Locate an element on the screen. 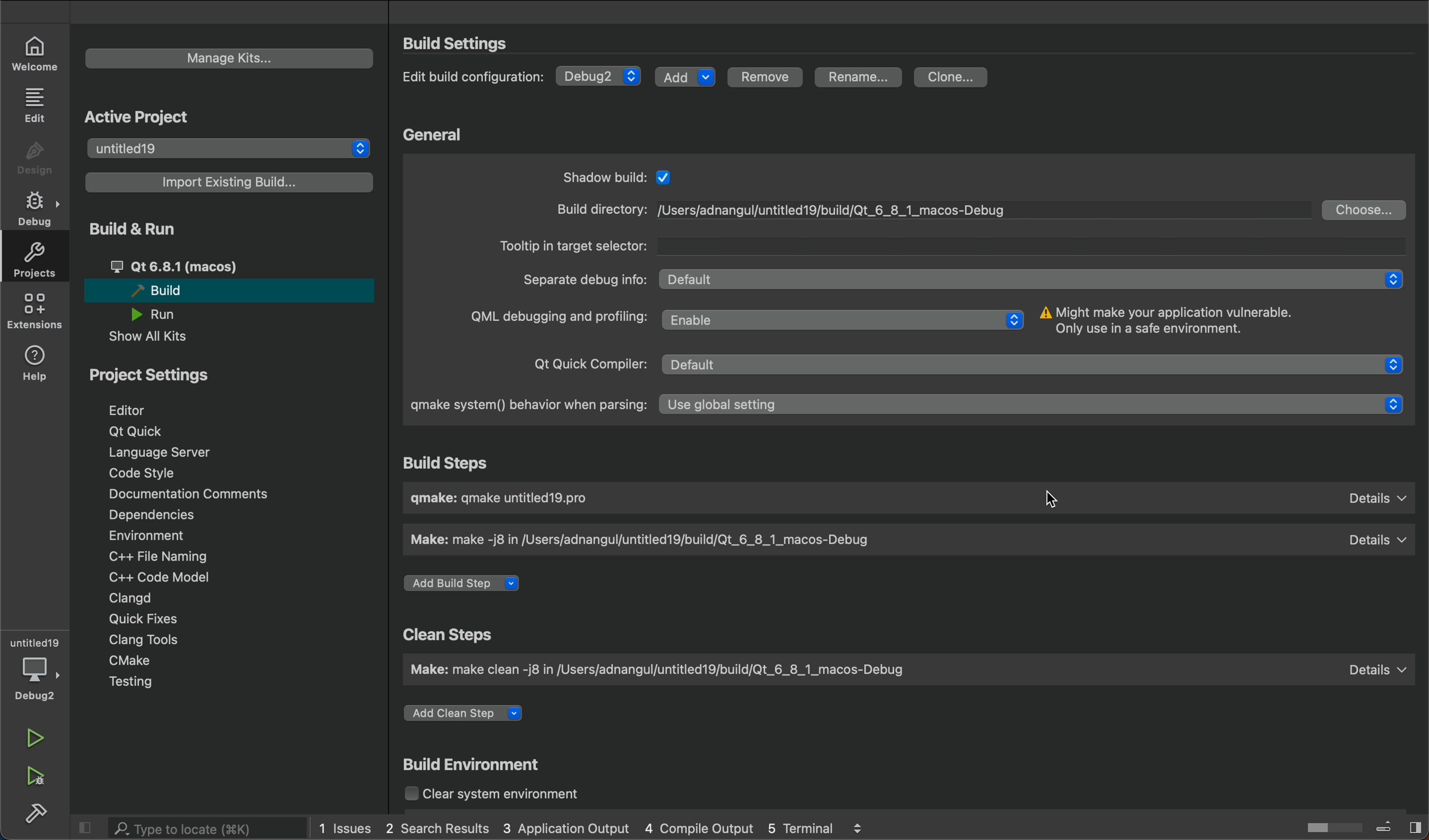  manage kits is located at coordinates (230, 58).